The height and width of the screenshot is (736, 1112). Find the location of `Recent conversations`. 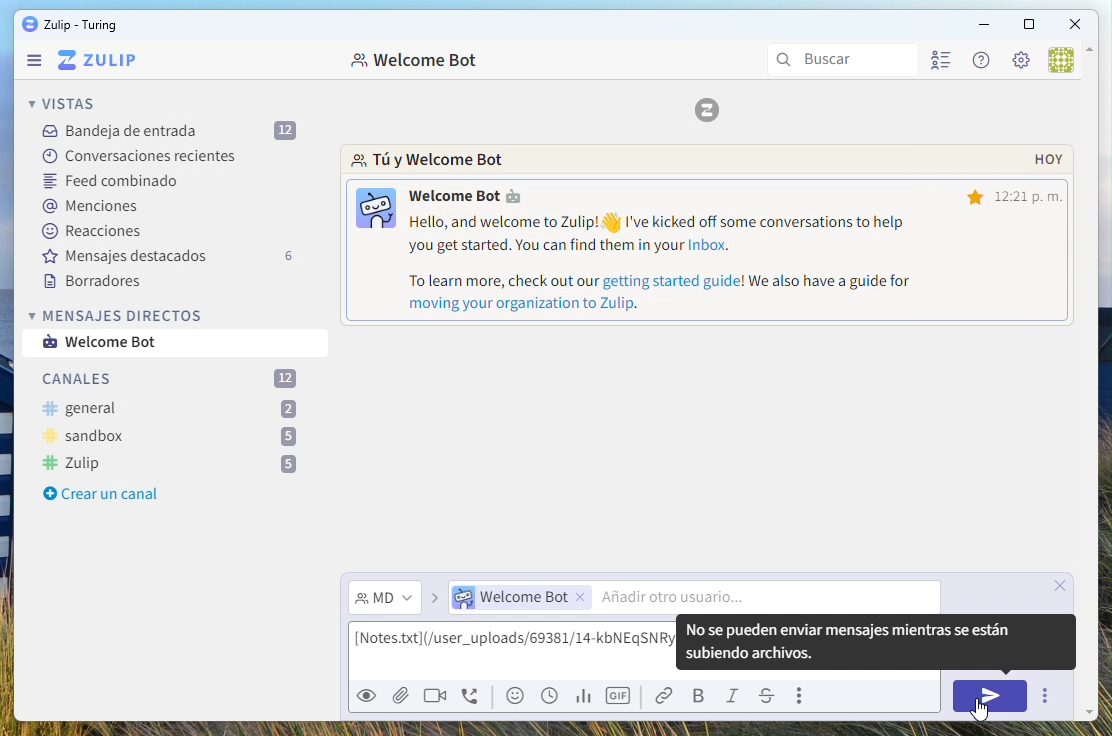

Recent conversations is located at coordinates (139, 154).